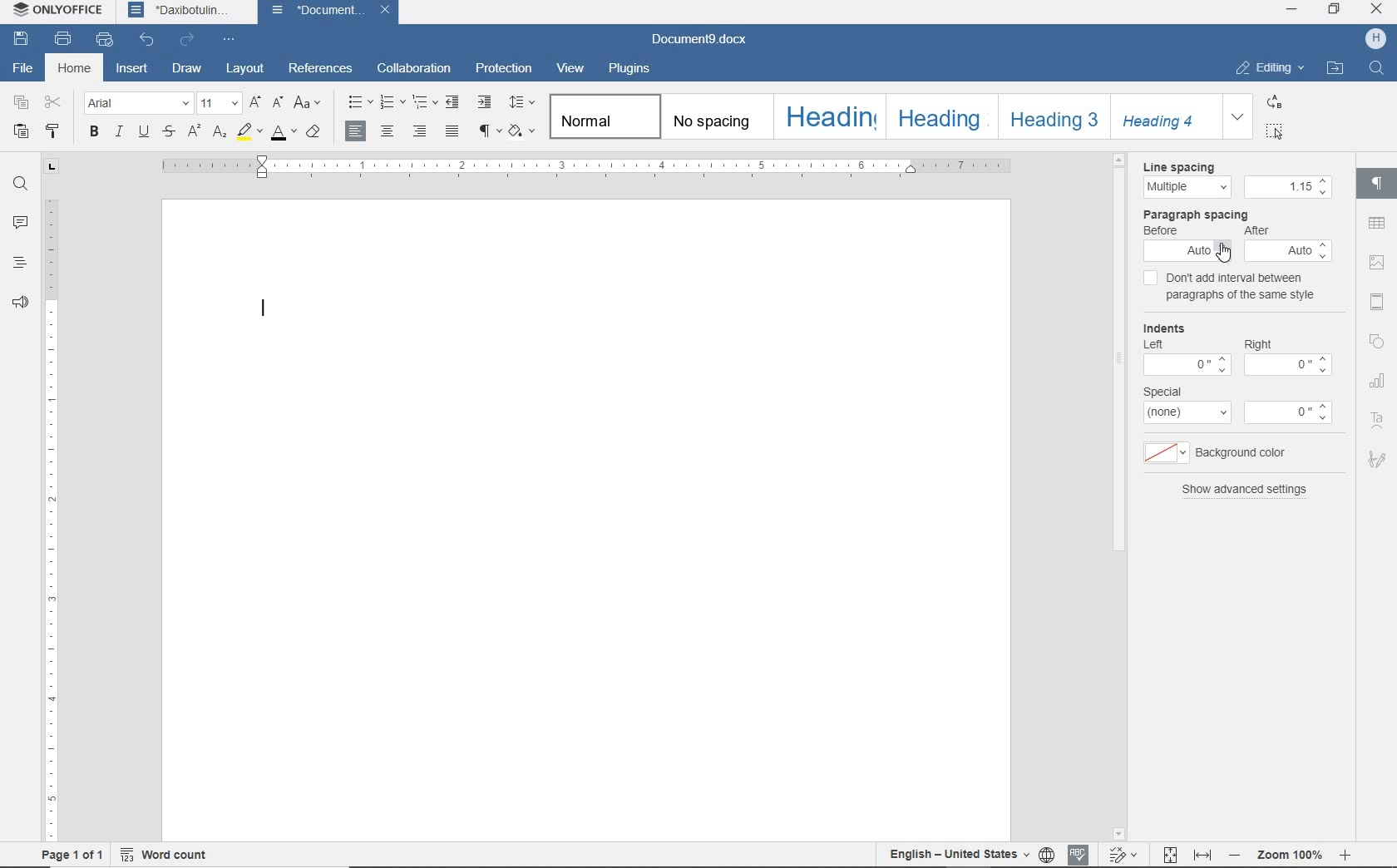 This screenshot has width=1397, height=868. Describe the element at coordinates (1289, 365) in the screenshot. I see `value` at that location.